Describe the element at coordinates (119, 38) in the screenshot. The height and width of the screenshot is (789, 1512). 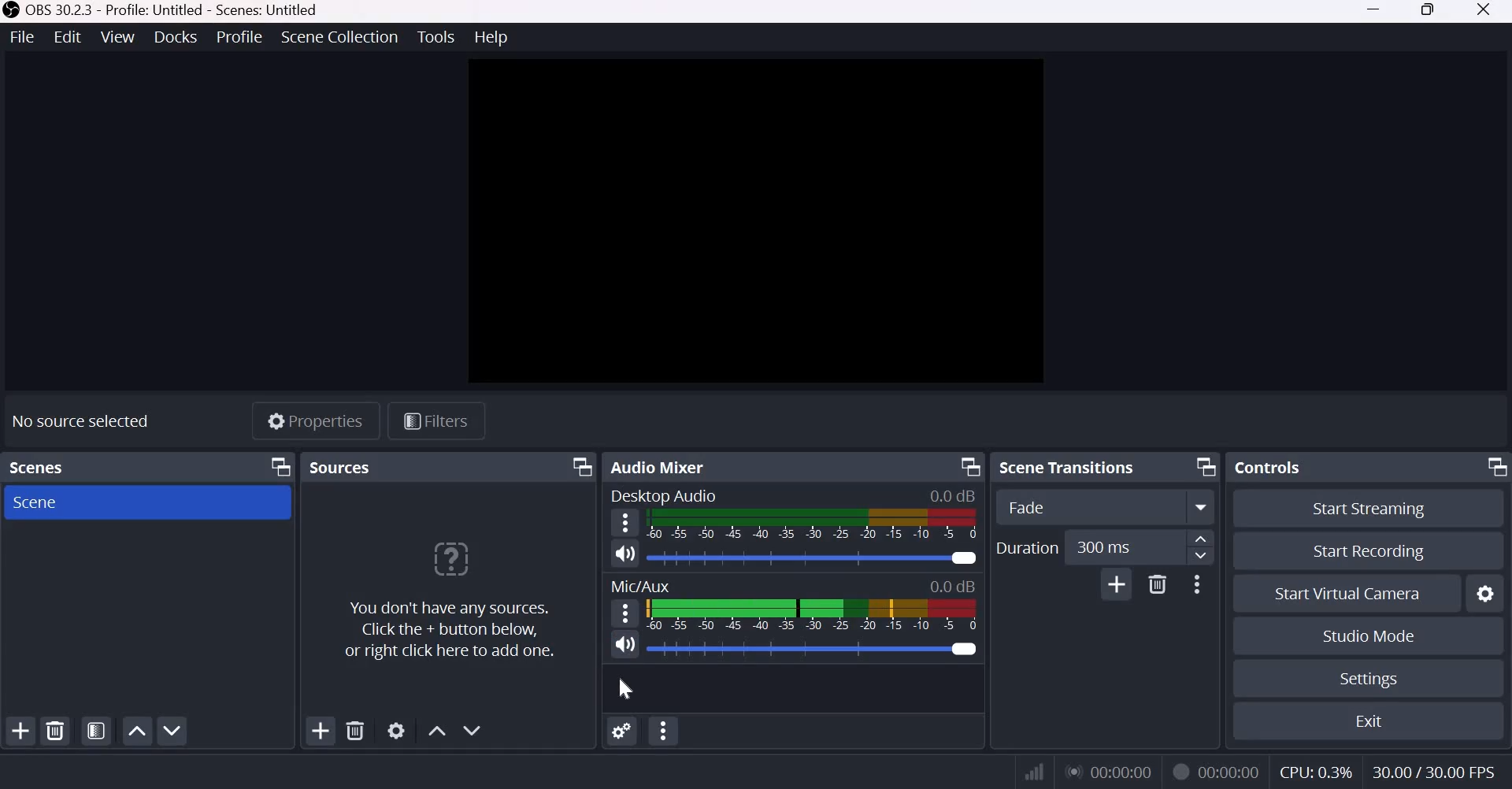
I see `View` at that location.